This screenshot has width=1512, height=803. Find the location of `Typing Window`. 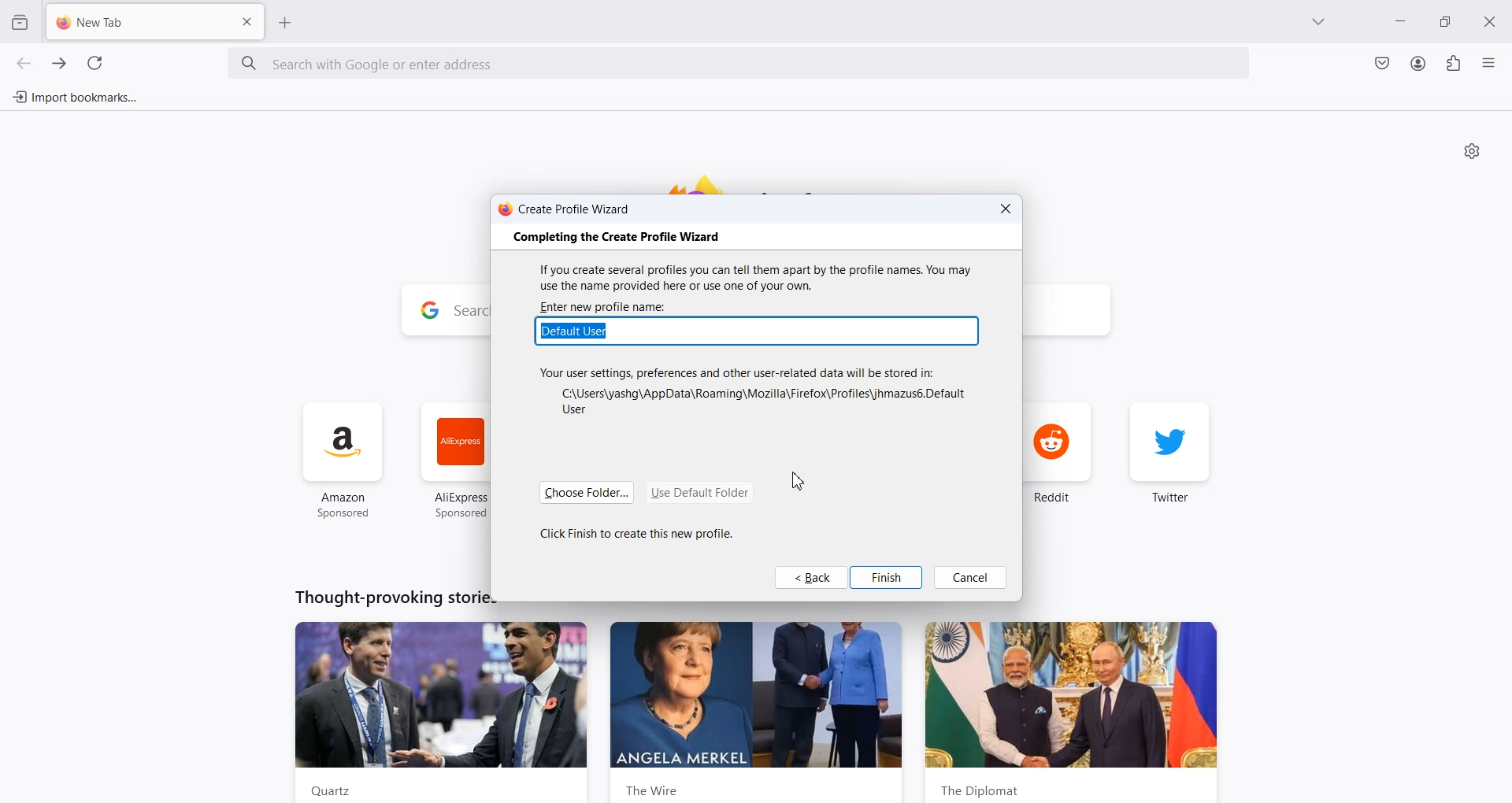

Typing Window is located at coordinates (759, 332).